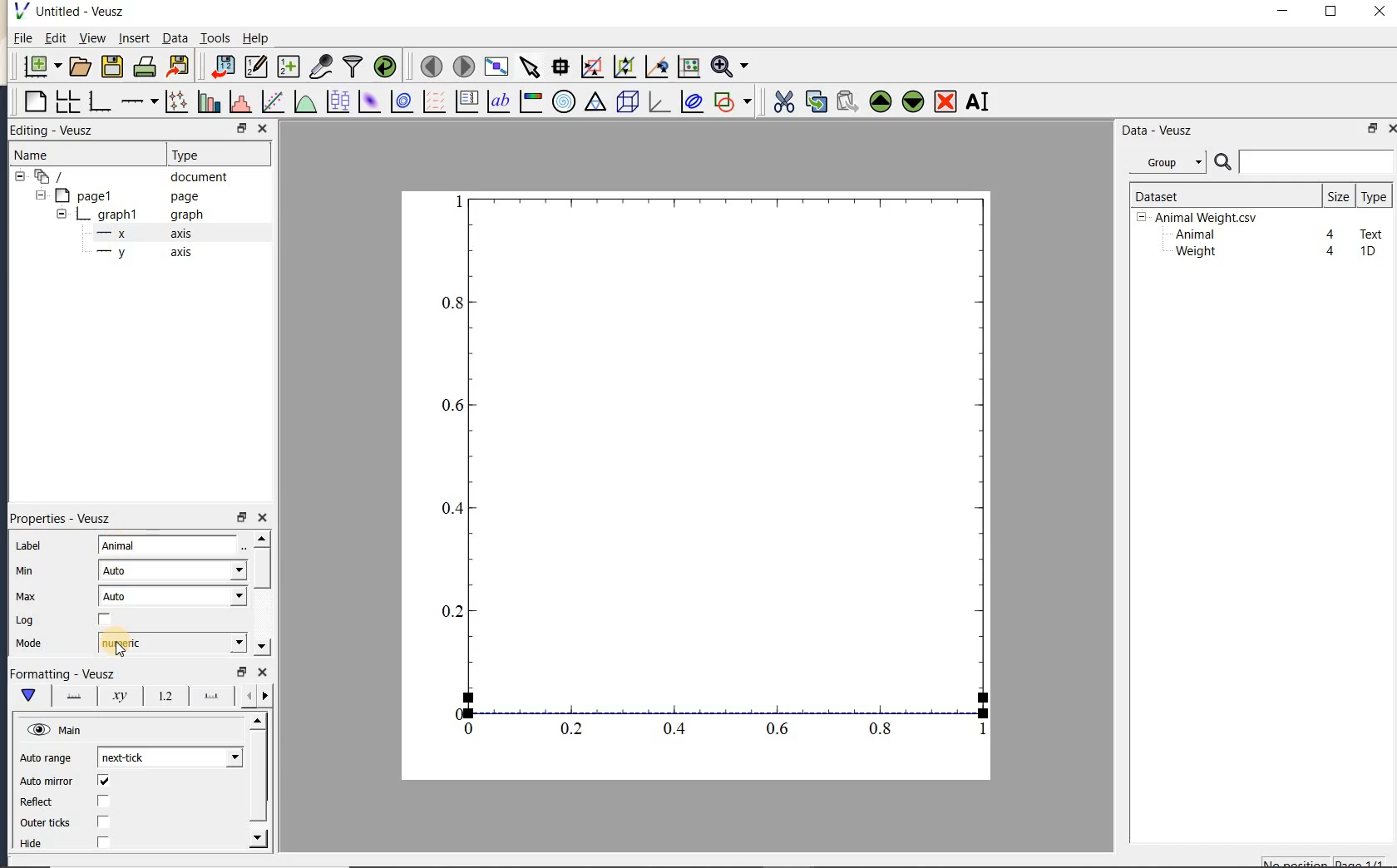 This screenshot has height=868, width=1397. What do you see at coordinates (104, 821) in the screenshot?
I see `check/uncheck` at bounding box center [104, 821].